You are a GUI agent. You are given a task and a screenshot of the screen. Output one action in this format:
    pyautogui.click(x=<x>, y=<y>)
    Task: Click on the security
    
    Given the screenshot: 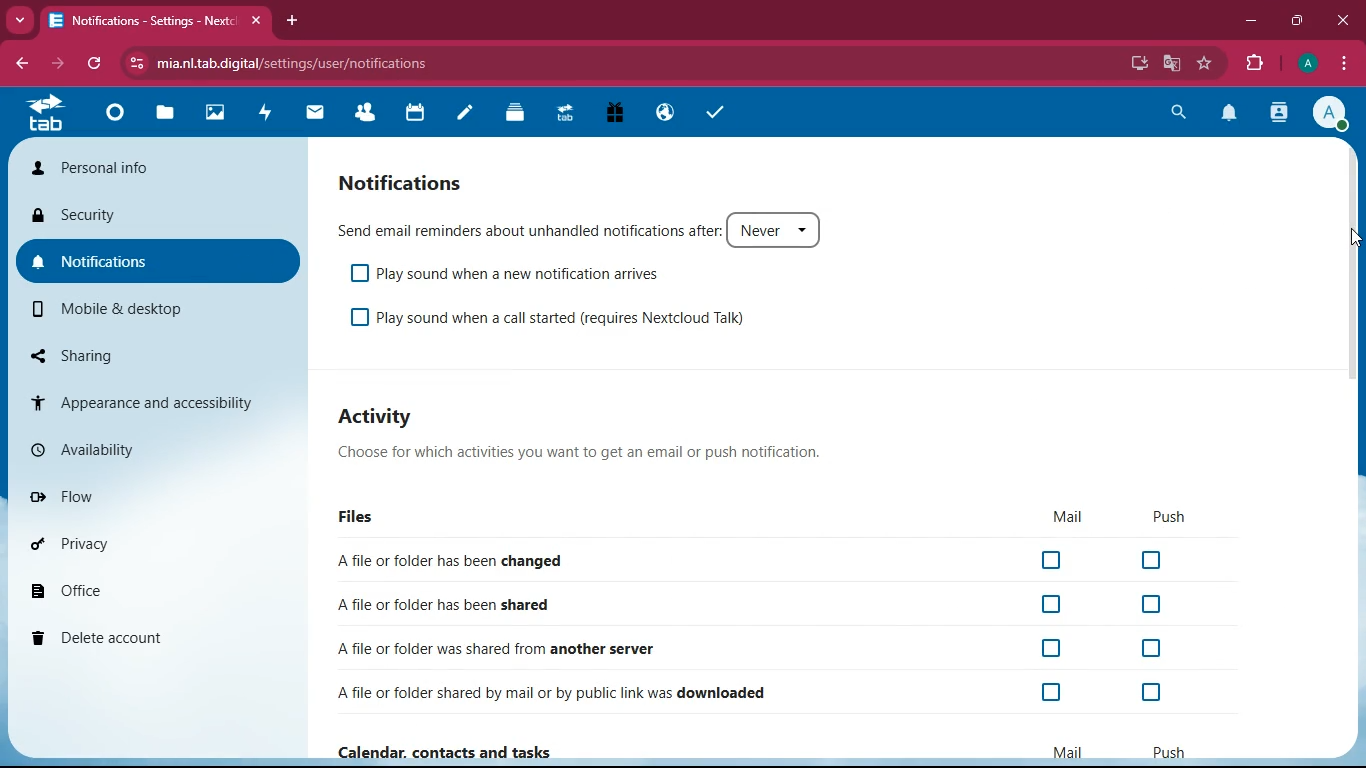 What is the action you would take?
    pyautogui.click(x=158, y=213)
    